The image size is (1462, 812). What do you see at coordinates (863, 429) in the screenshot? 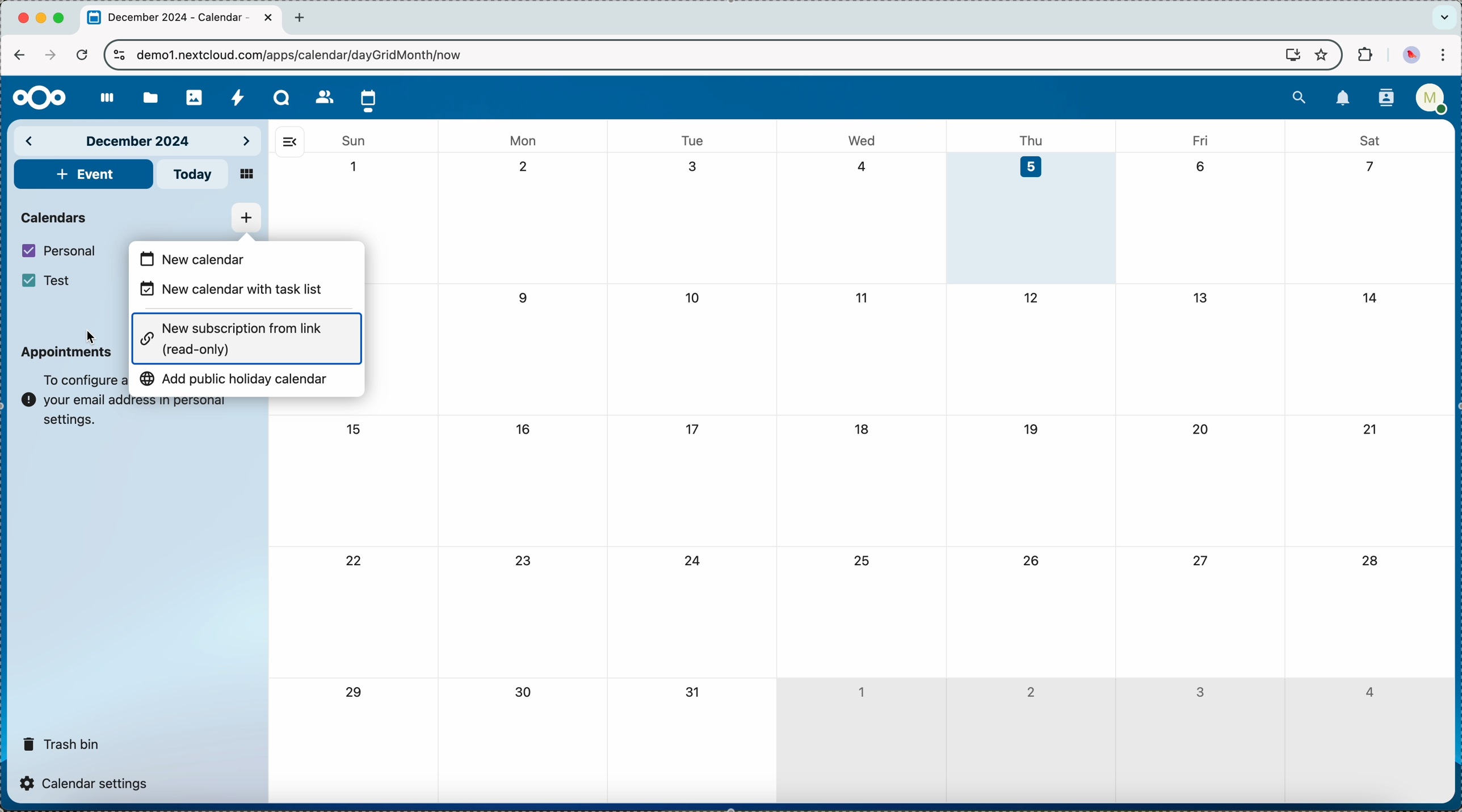
I see `18` at bounding box center [863, 429].